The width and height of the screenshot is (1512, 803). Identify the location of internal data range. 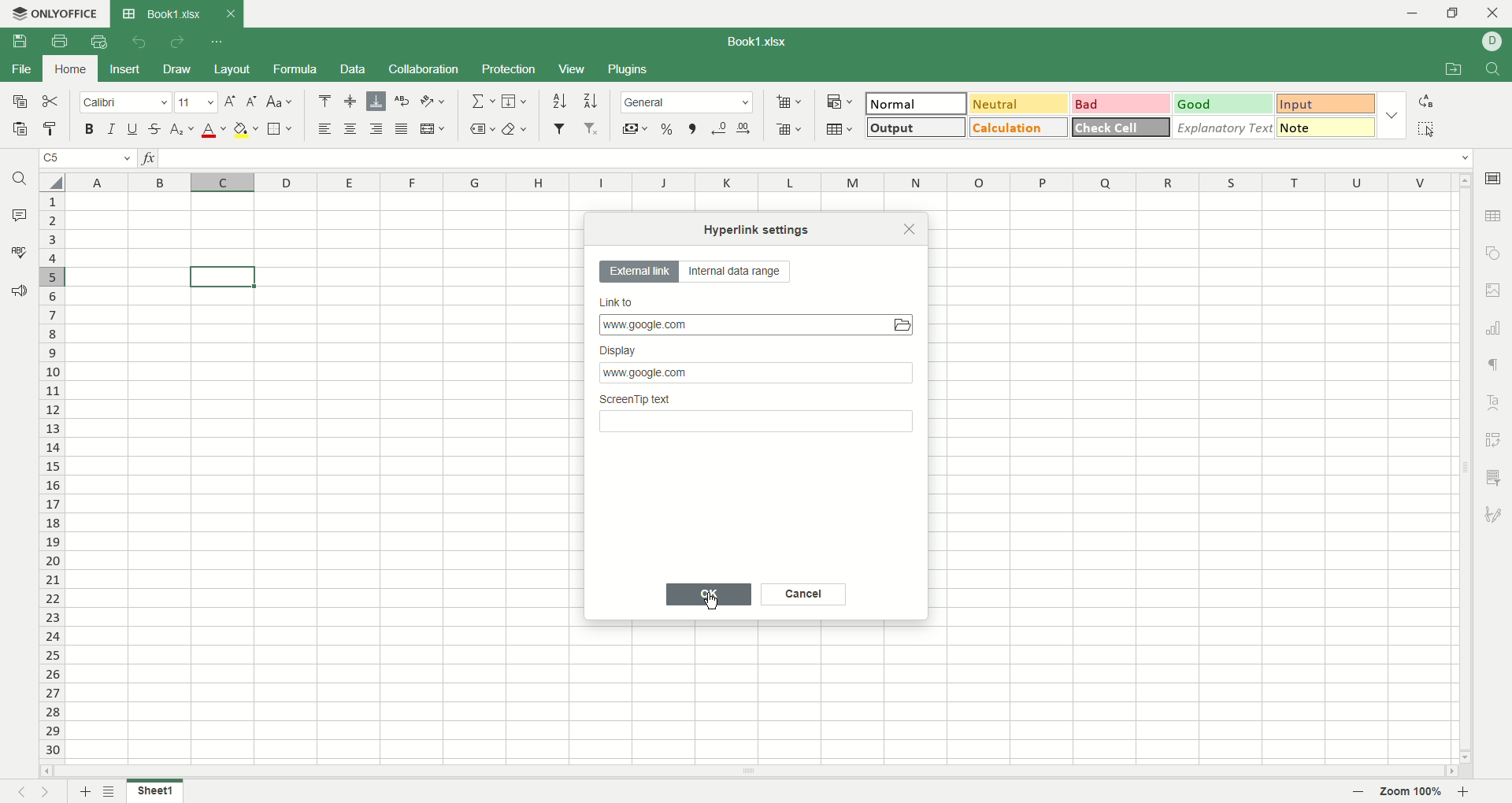
(741, 274).